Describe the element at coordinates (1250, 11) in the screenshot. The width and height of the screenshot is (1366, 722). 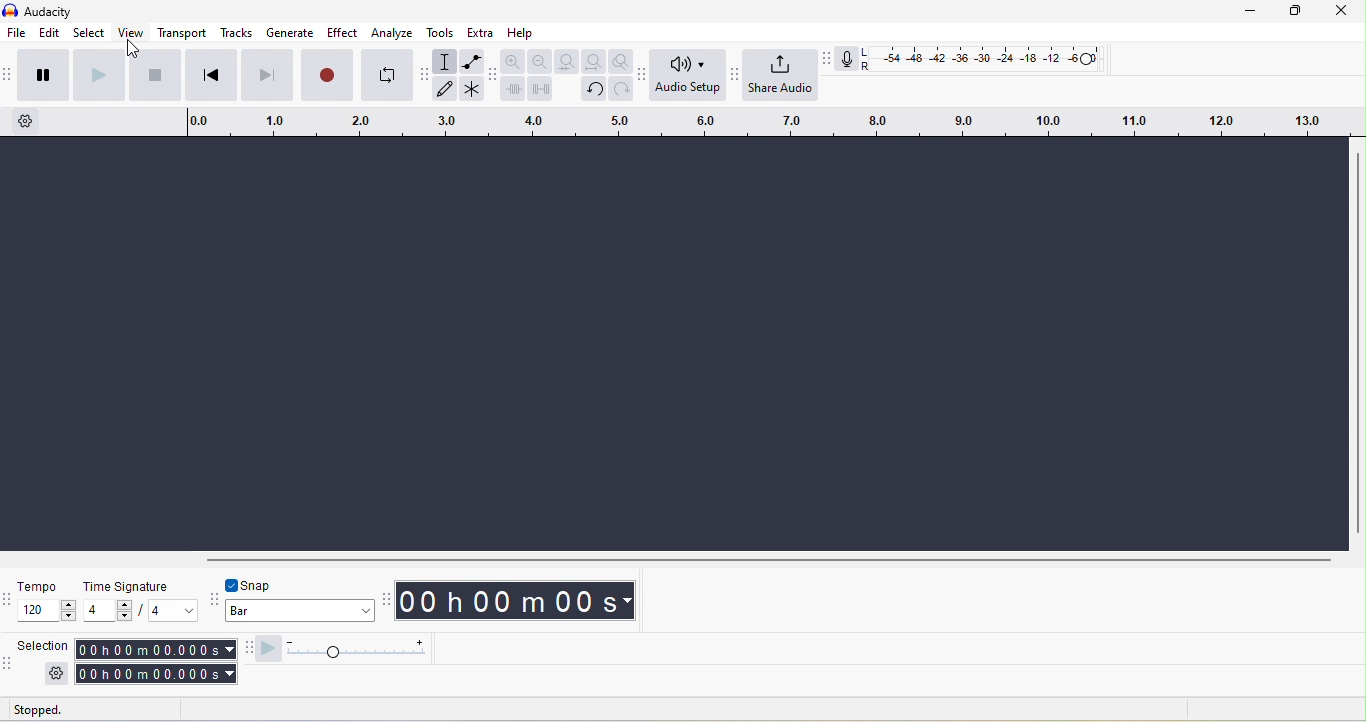
I see `minimize` at that location.